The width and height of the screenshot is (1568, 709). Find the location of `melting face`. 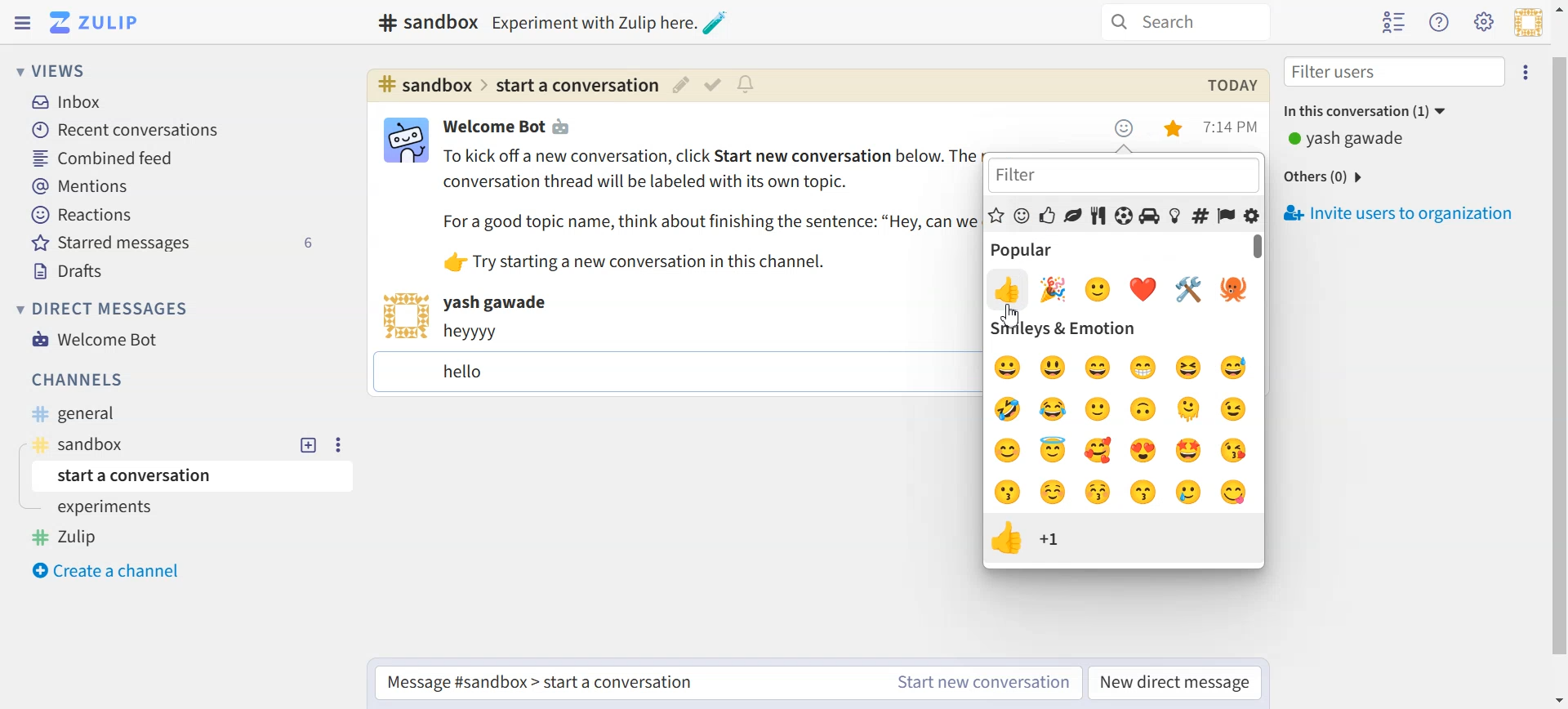

melting face is located at coordinates (1188, 407).